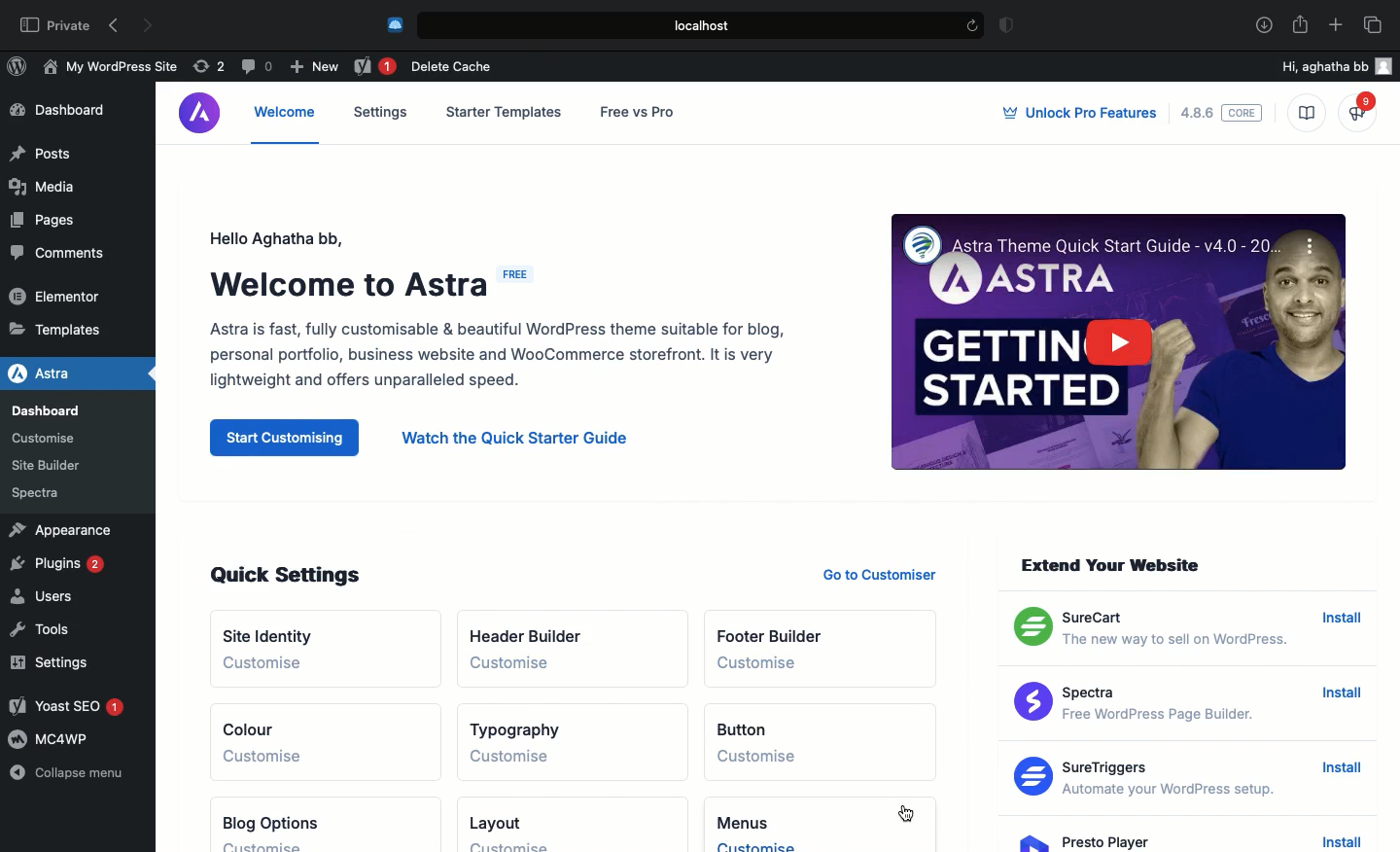 This screenshot has height=852, width=1400. I want to click on Delete cache, so click(449, 66).